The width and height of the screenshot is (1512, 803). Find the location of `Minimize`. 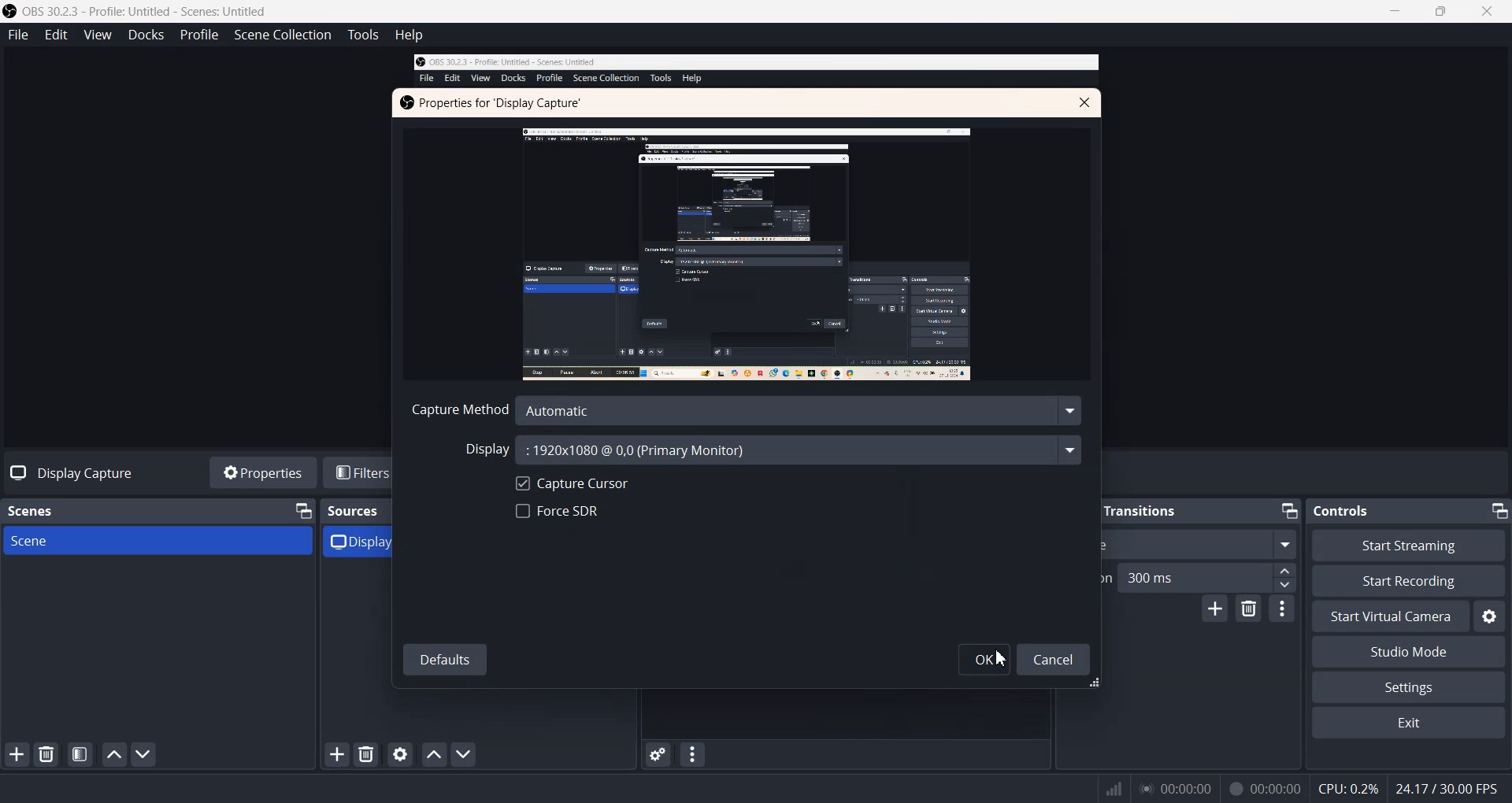

Minimize is located at coordinates (302, 511).